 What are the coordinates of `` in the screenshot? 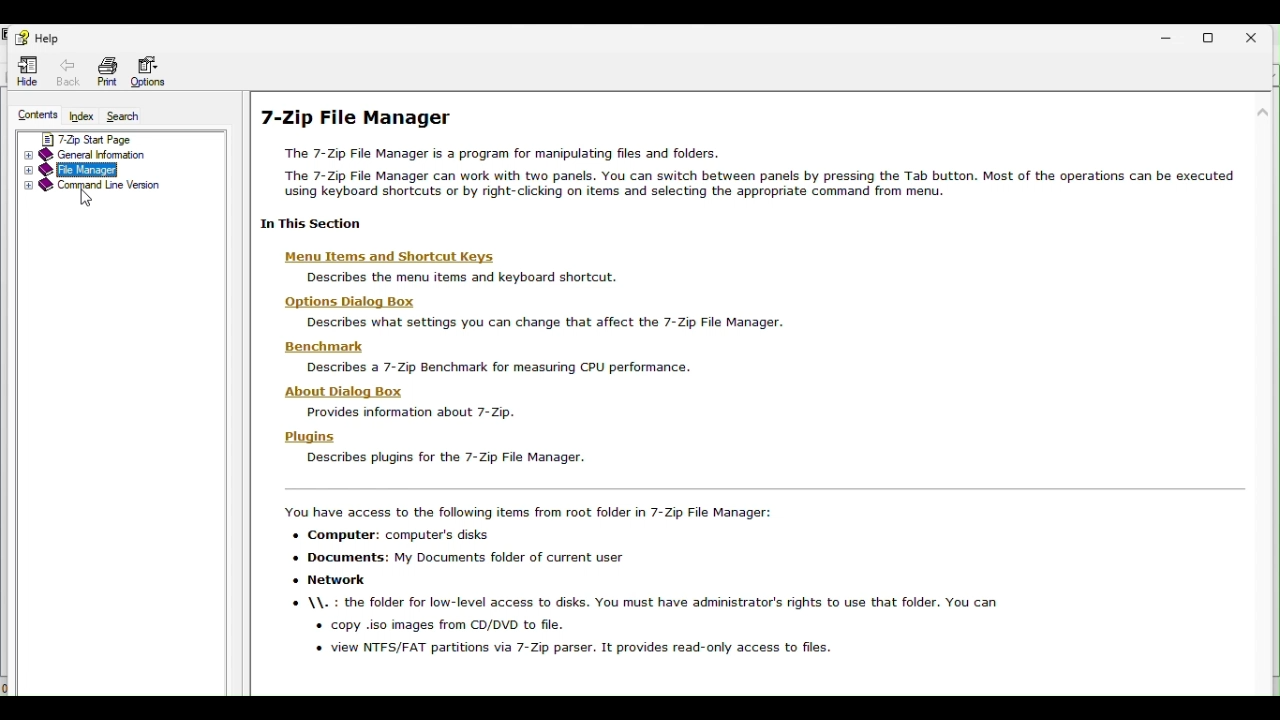 It's located at (641, 580).